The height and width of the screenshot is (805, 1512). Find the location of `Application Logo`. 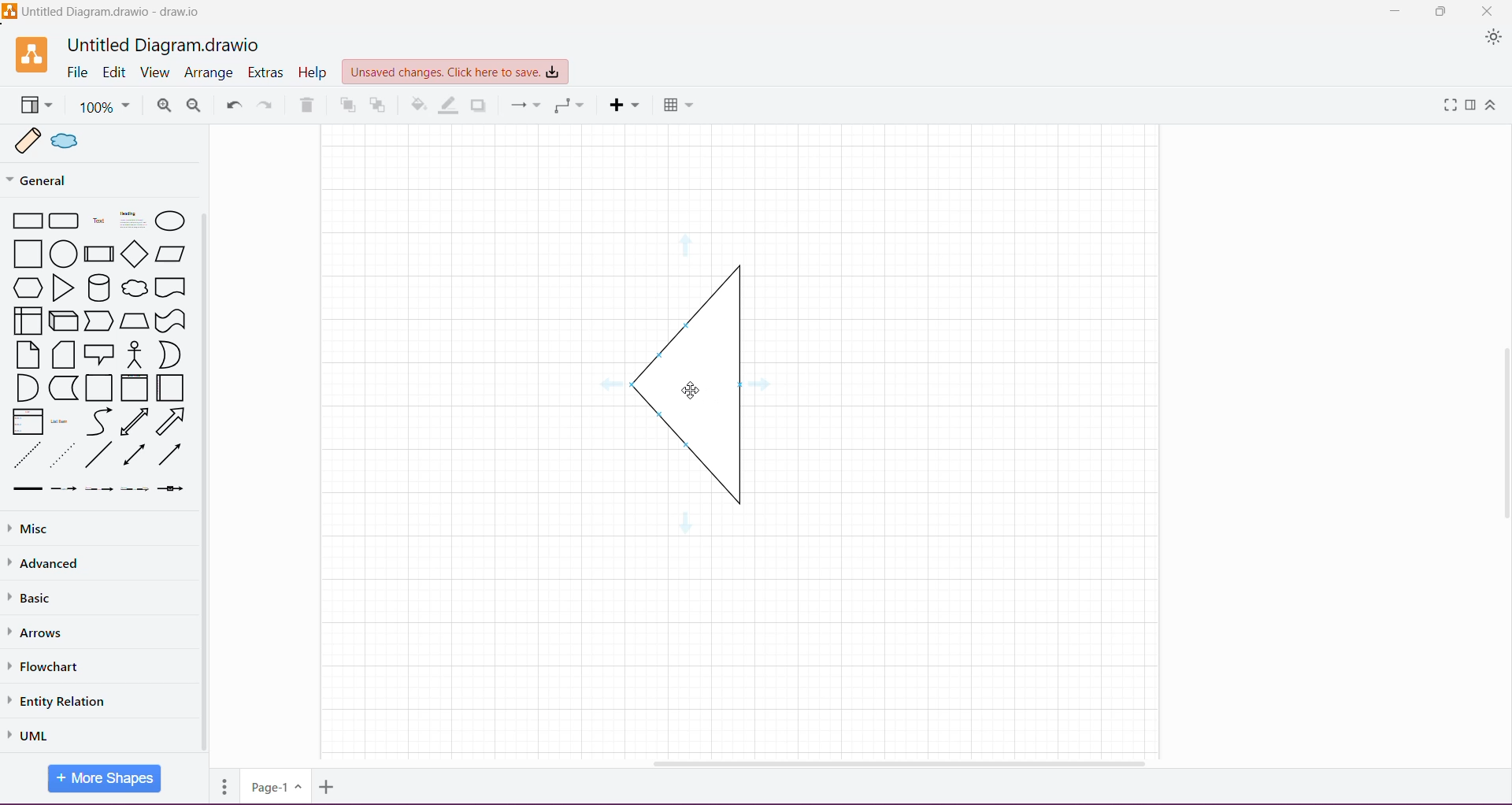

Application Logo is located at coordinates (34, 55).